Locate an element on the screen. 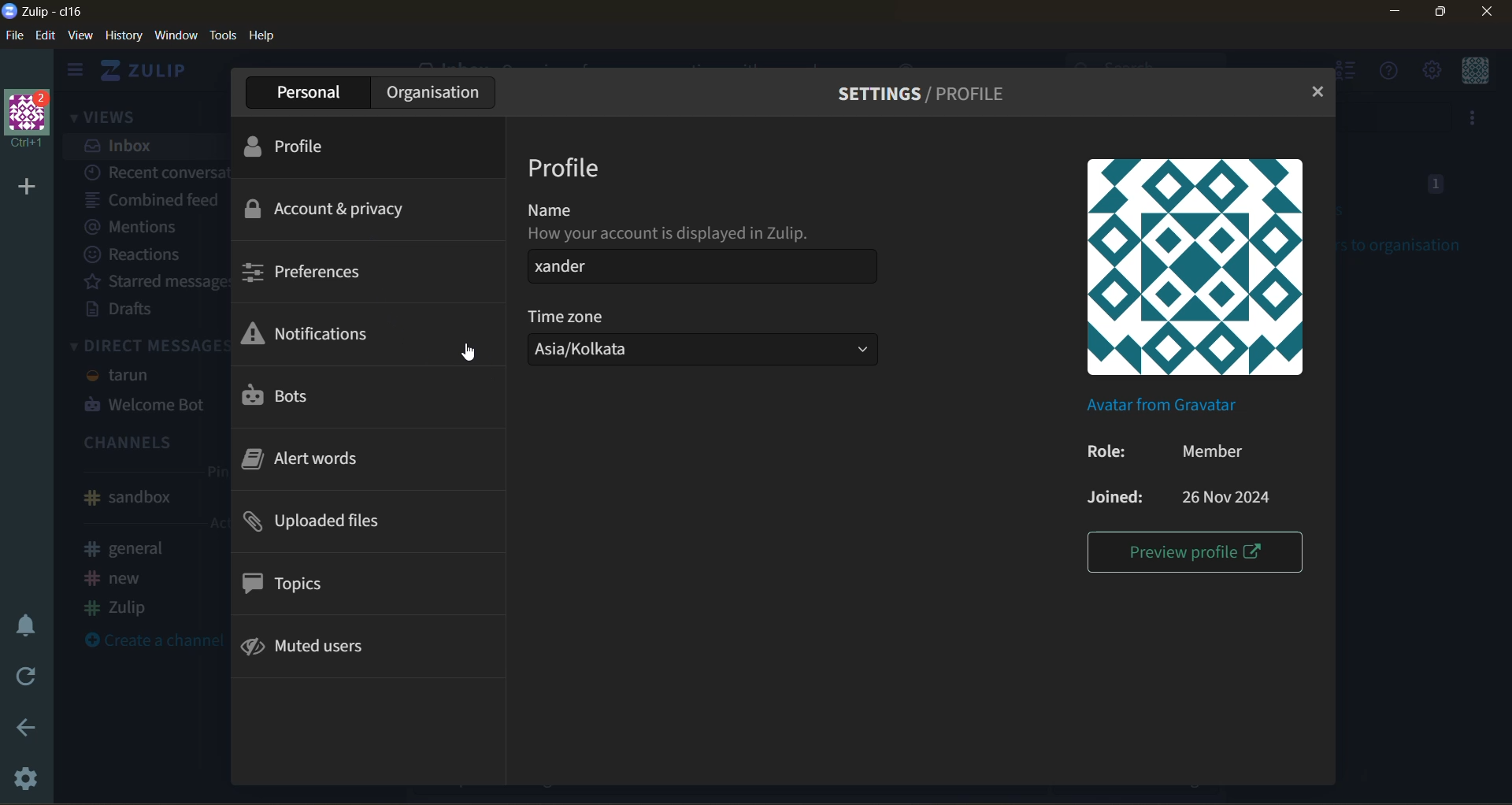 The width and height of the screenshot is (1512, 805). window is located at coordinates (177, 36).